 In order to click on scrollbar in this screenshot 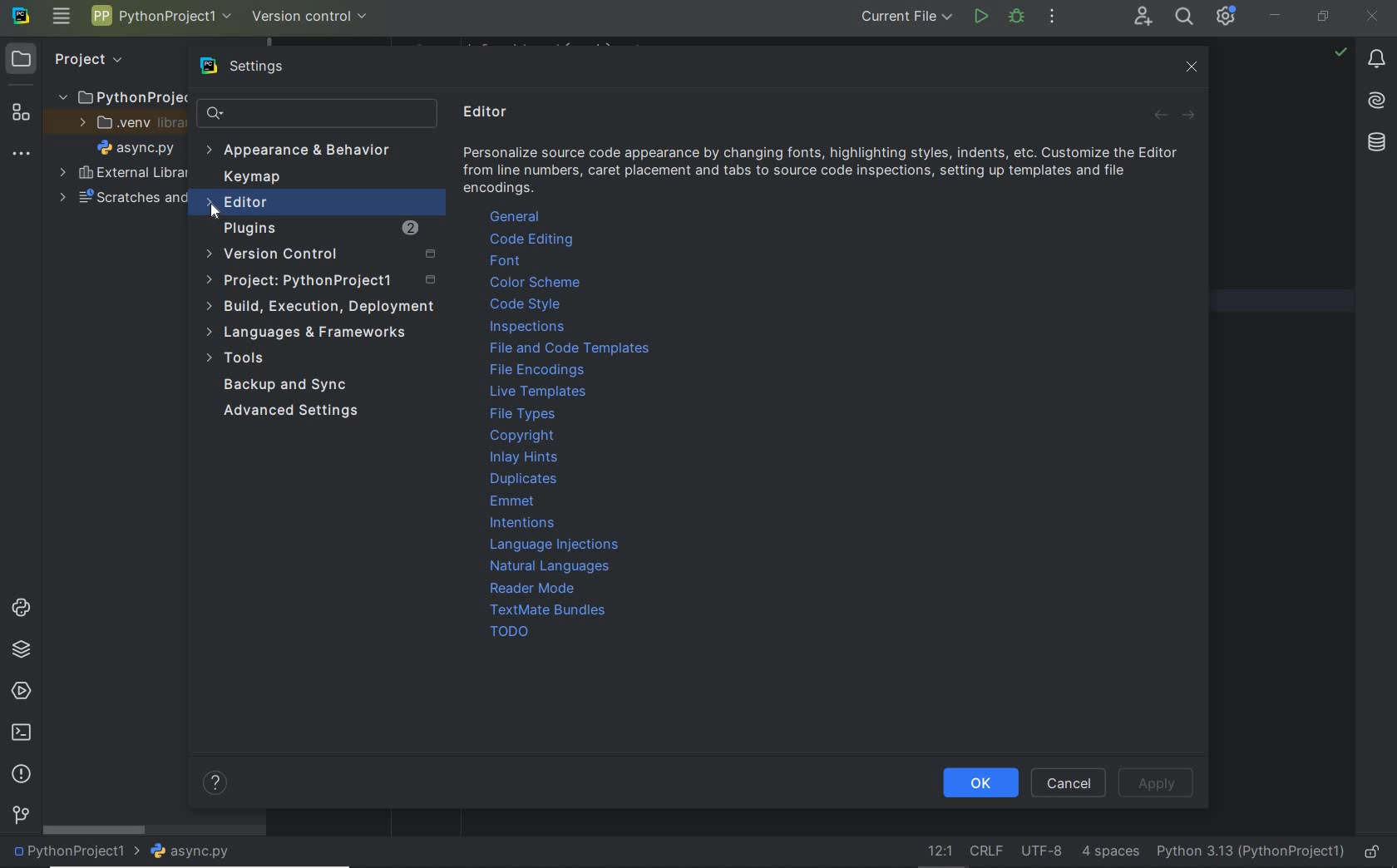, I will do `click(96, 831)`.